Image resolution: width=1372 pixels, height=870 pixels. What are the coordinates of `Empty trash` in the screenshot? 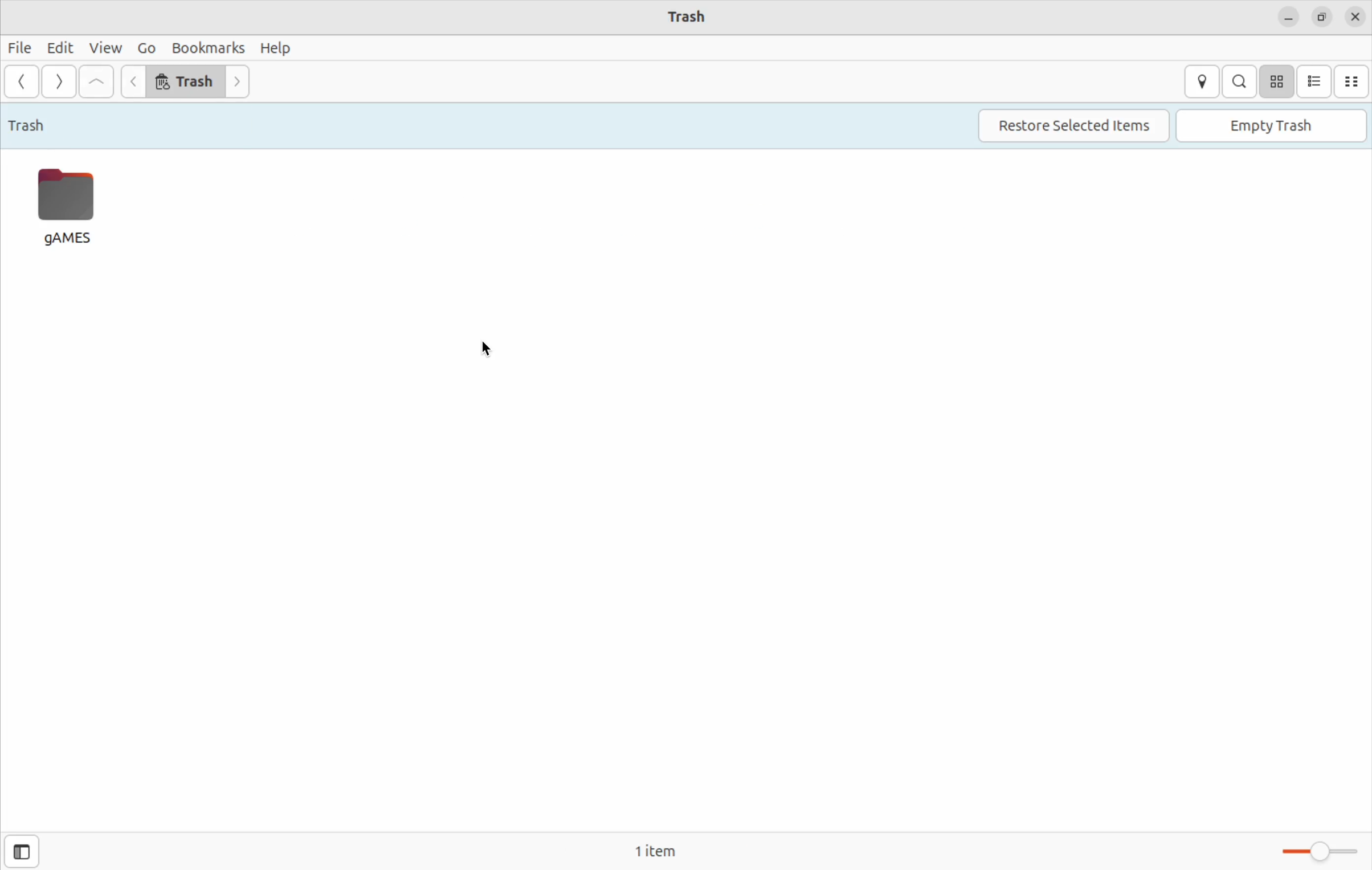 It's located at (1269, 123).